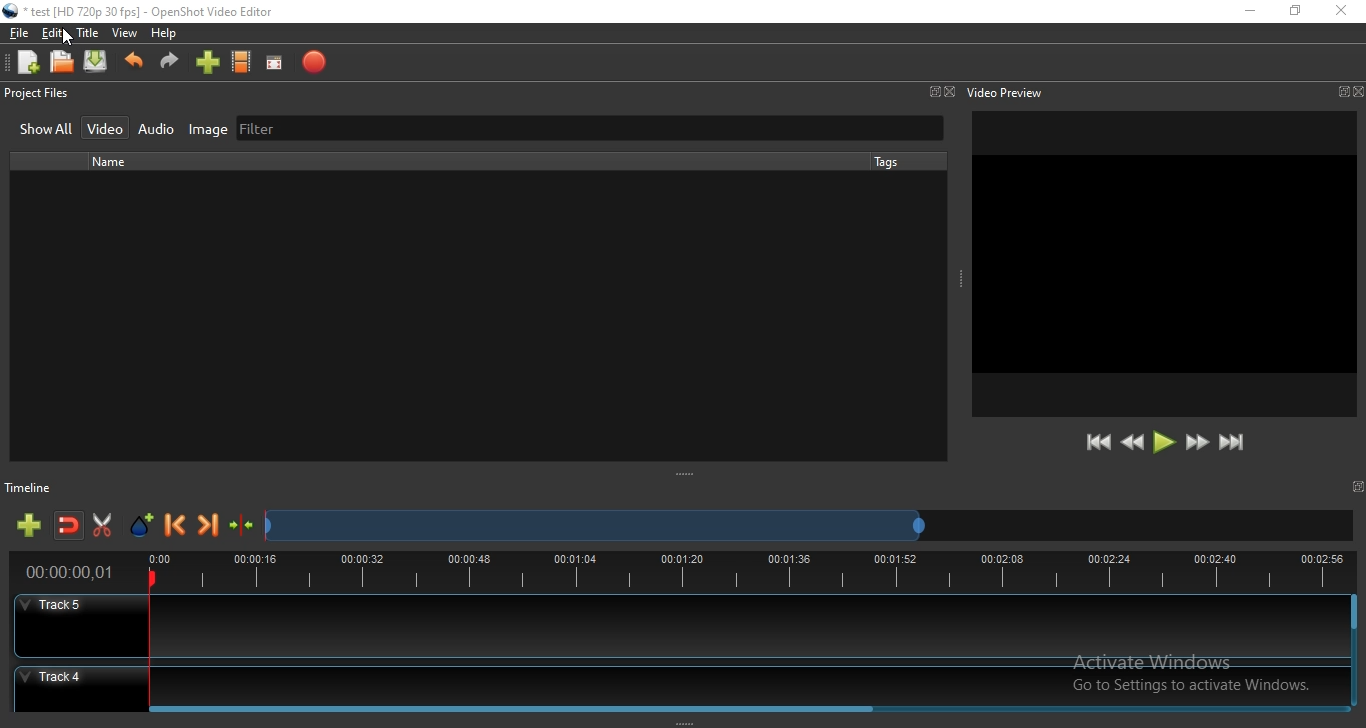  I want to click on Jump to start, so click(1099, 443).